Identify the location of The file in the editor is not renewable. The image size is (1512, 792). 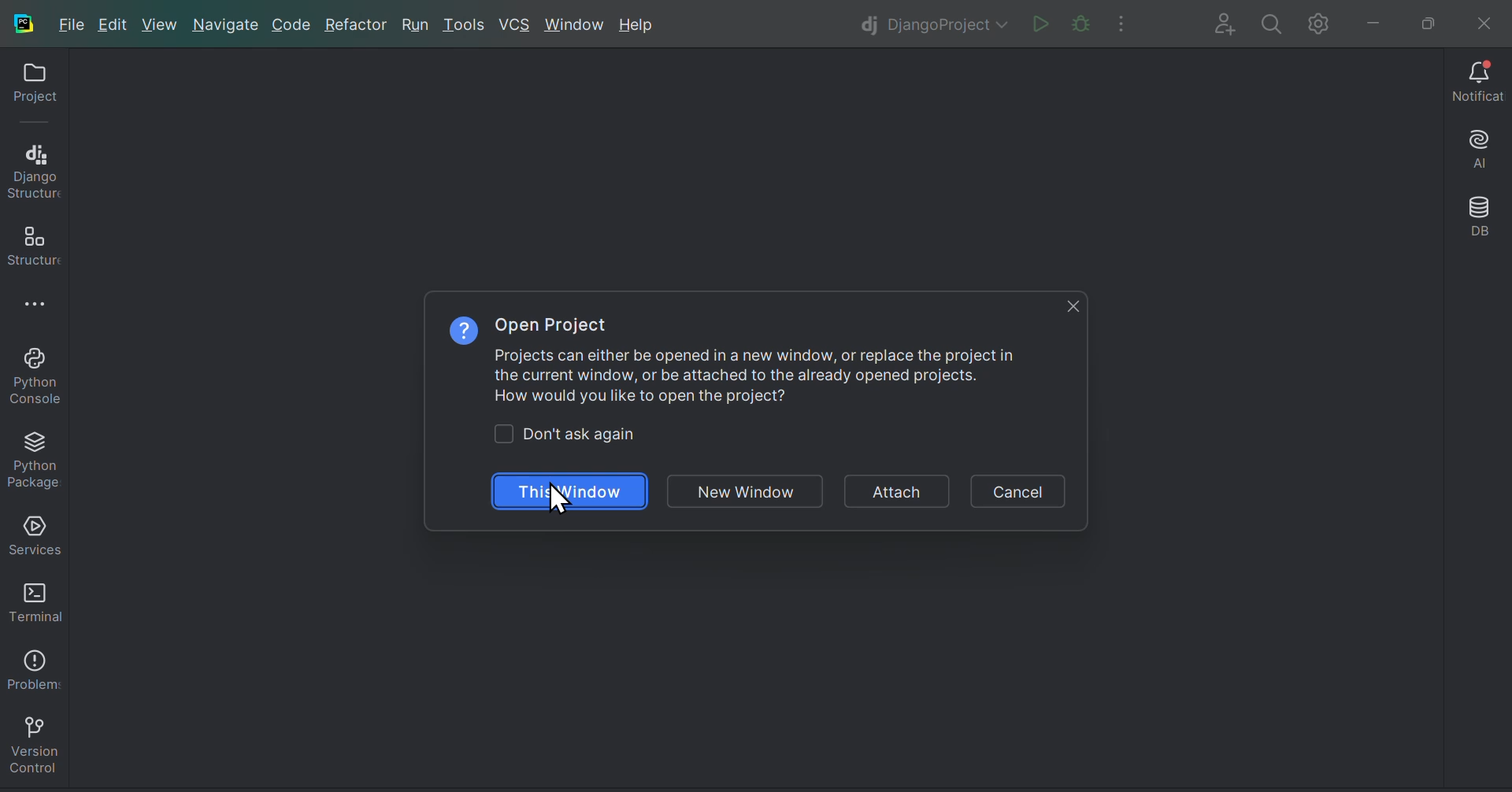
(1078, 23).